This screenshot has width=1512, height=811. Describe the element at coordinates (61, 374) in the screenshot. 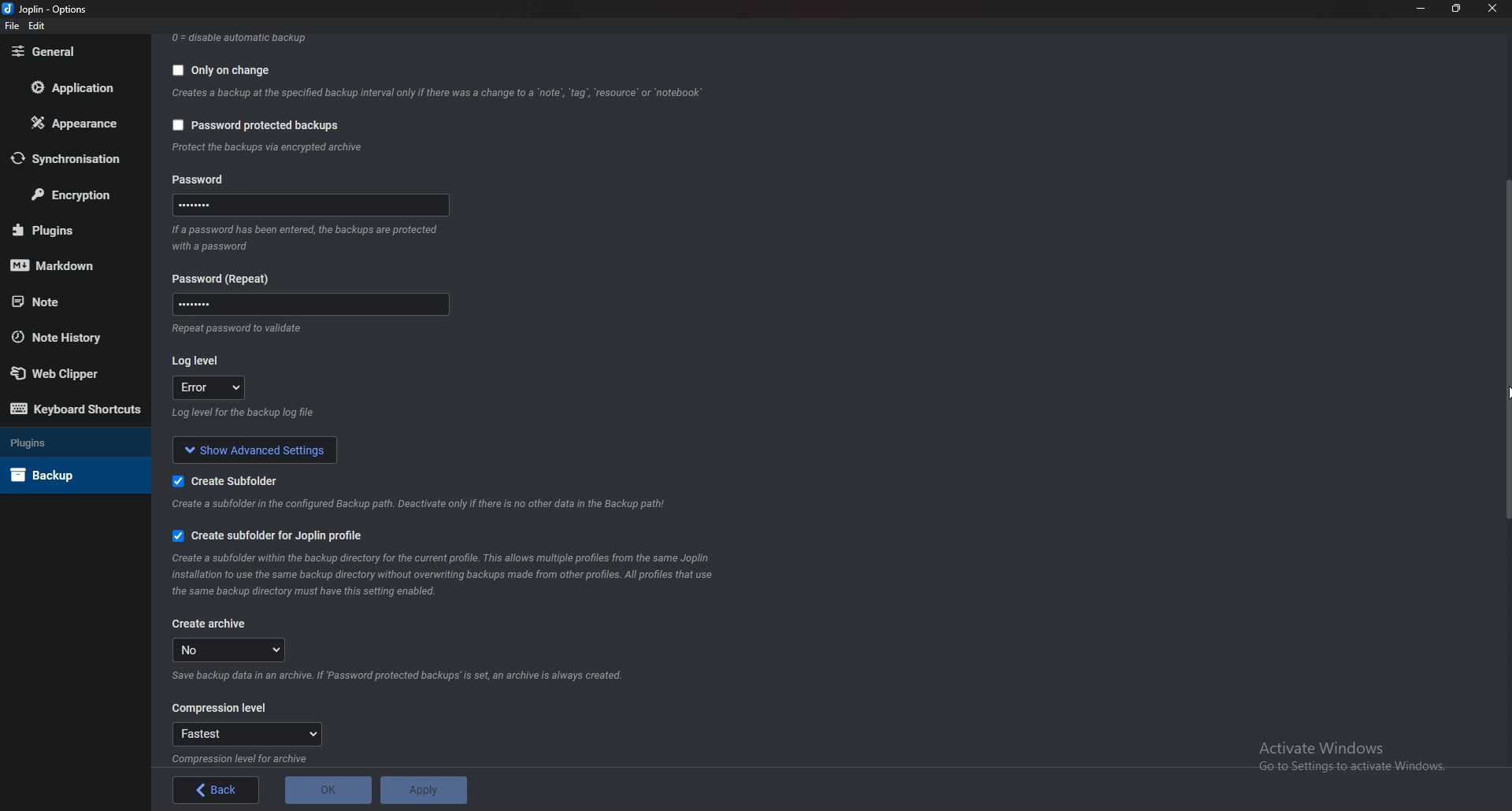

I see `Web Clipper` at that location.